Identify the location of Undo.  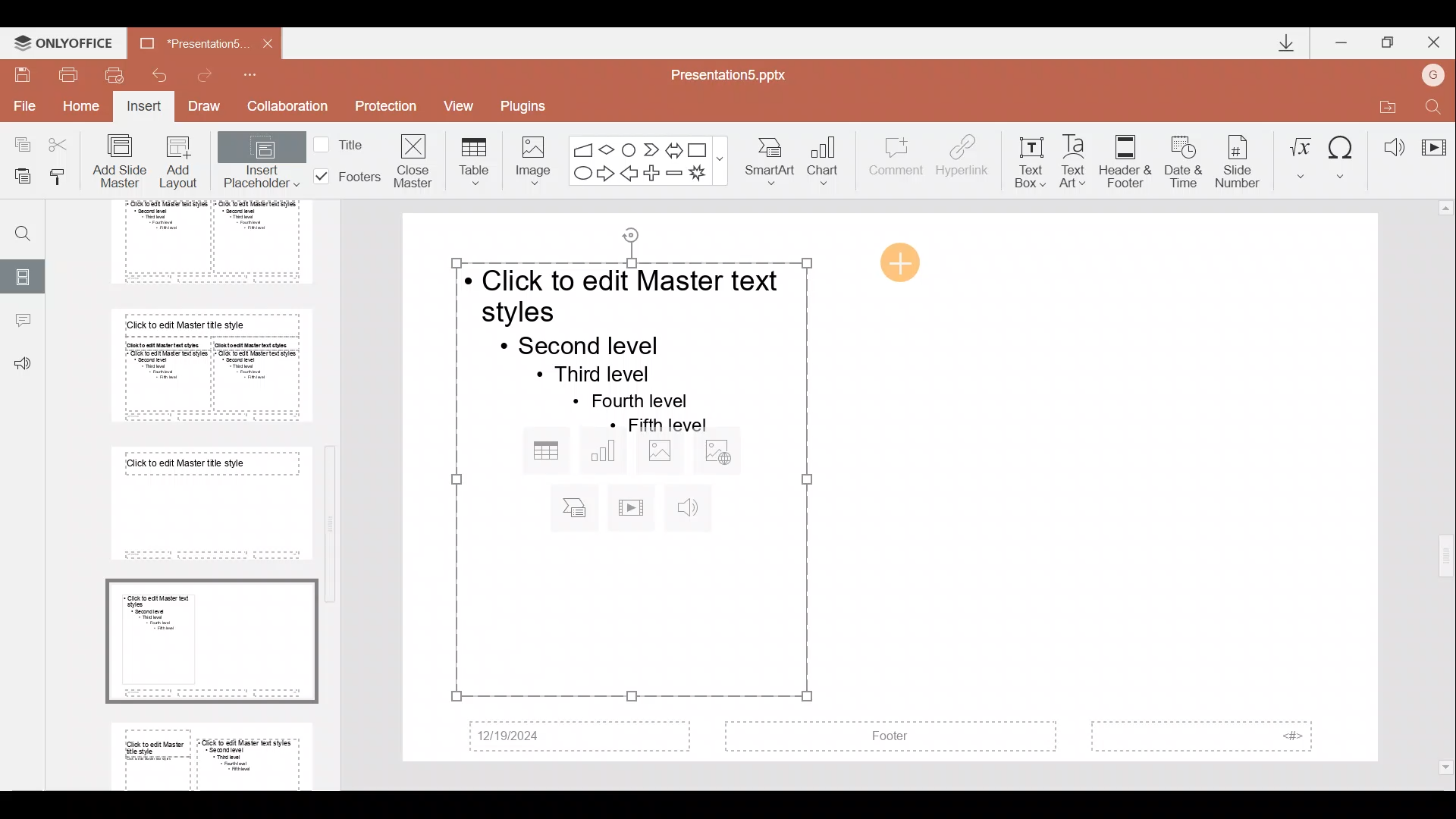
(158, 74).